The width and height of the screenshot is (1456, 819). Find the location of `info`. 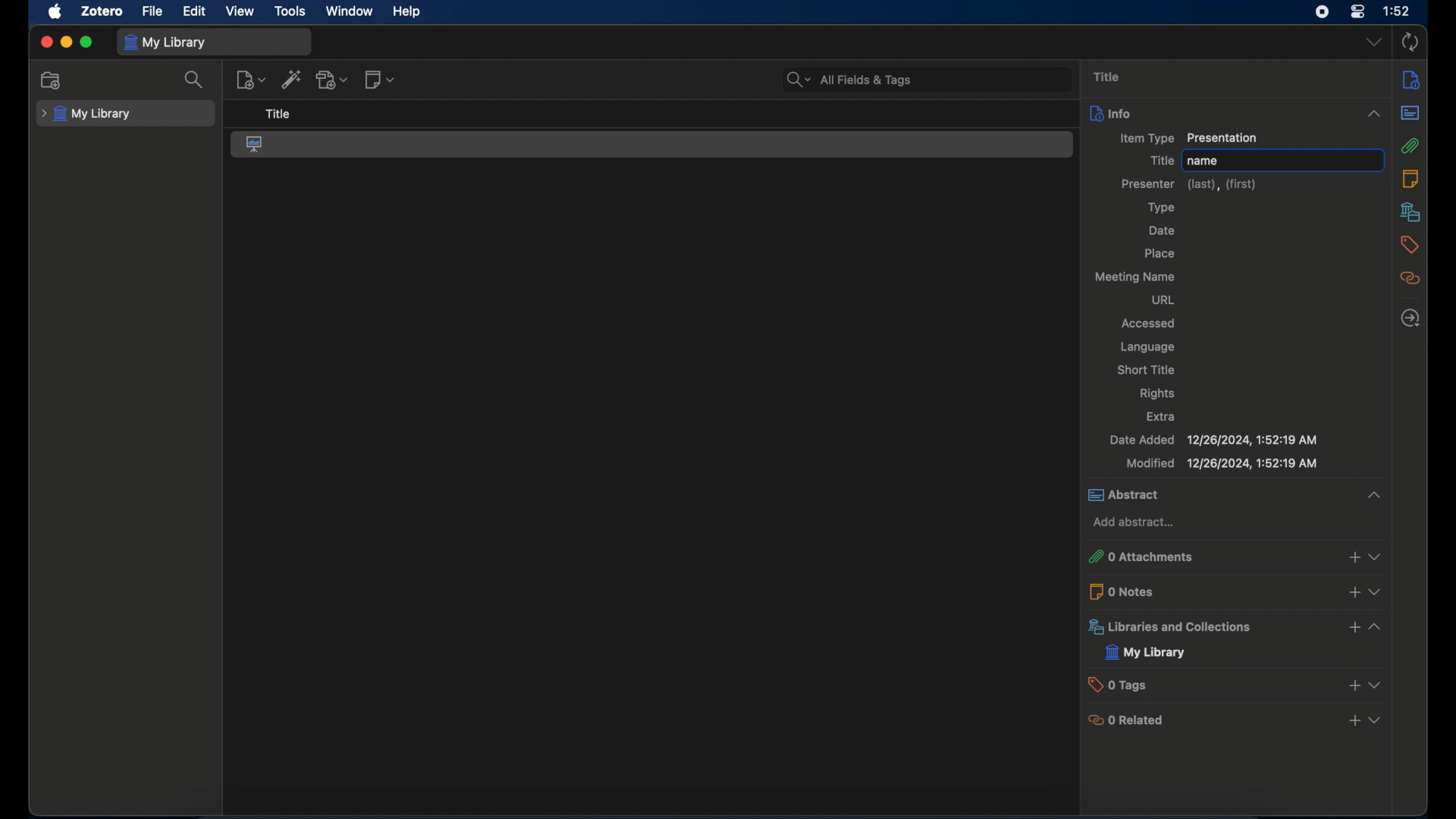

info is located at coordinates (1235, 113).